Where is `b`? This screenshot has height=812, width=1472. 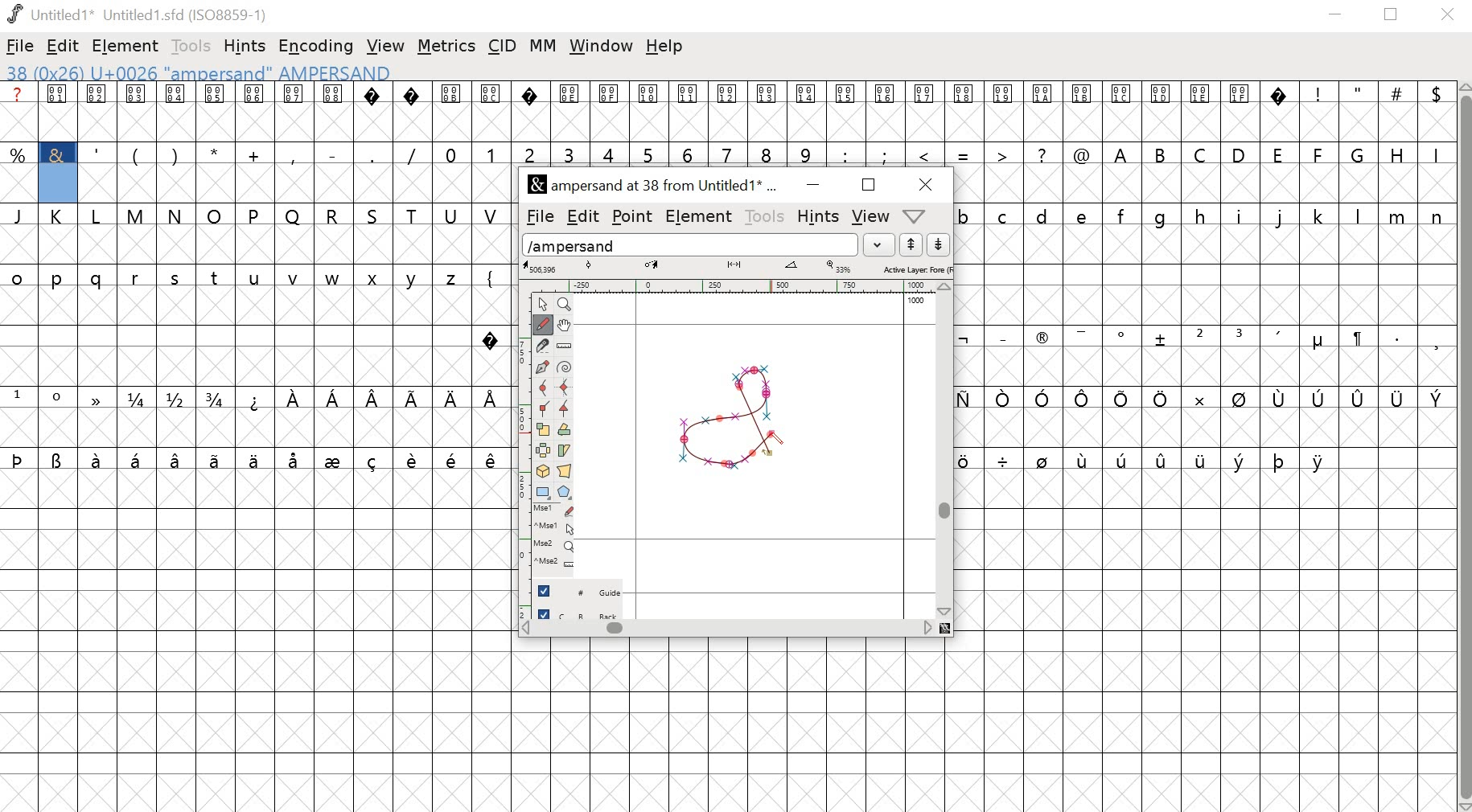 b is located at coordinates (966, 215).